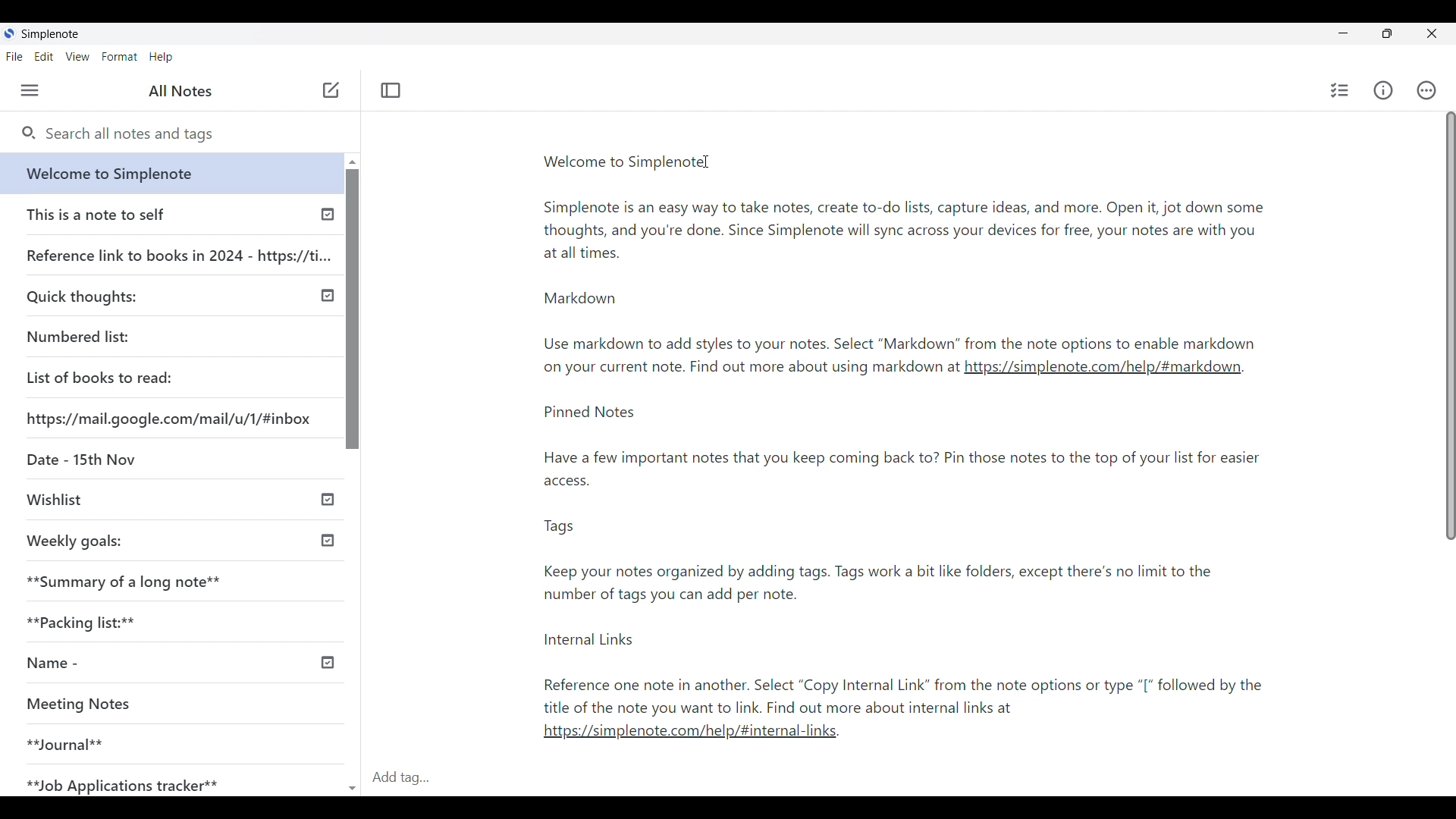  I want to click on Quick slide to bottom, so click(352, 781).